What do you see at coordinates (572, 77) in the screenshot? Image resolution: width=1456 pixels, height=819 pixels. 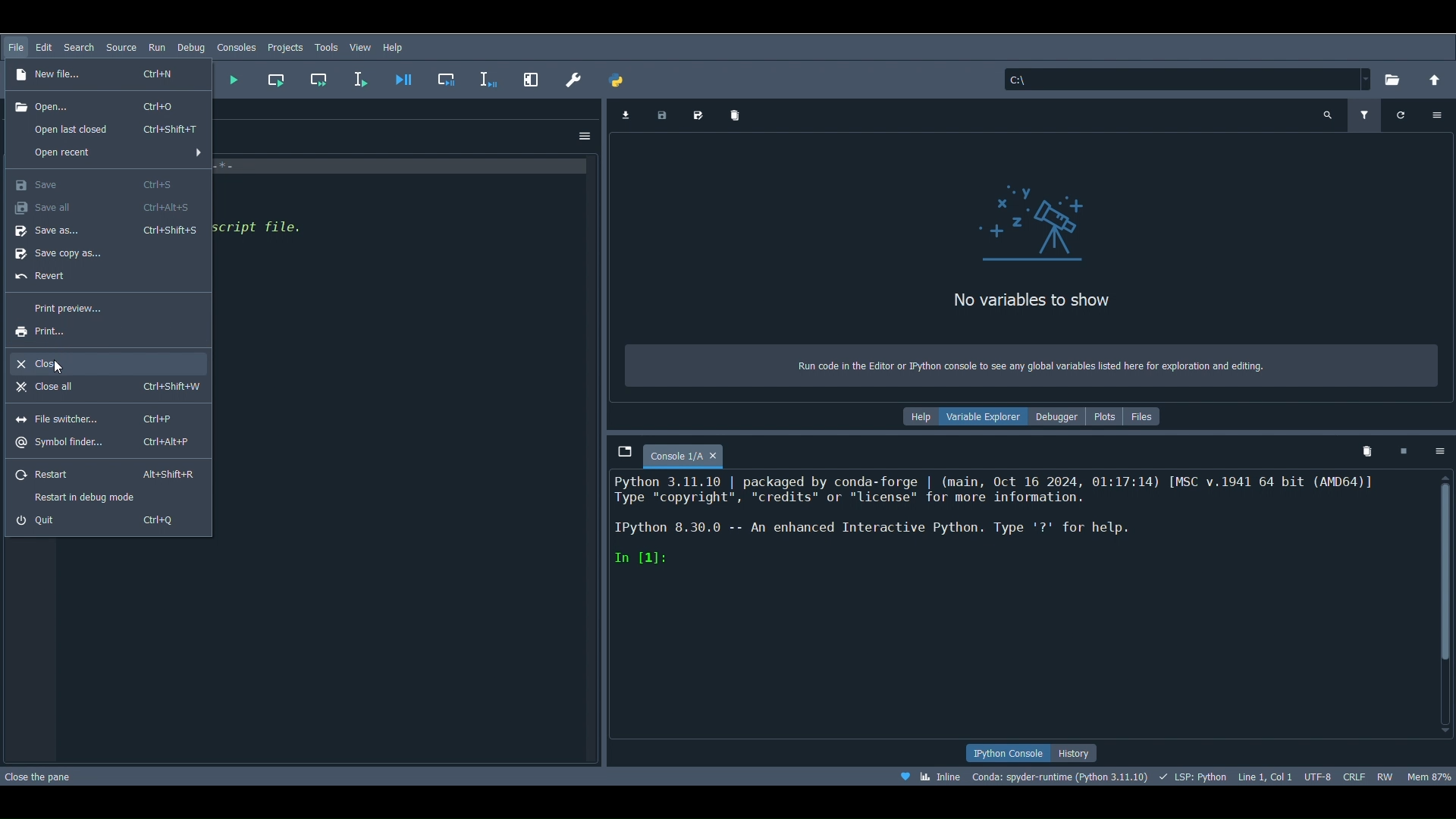 I see `Preferences` at bounding box center [572, 77].